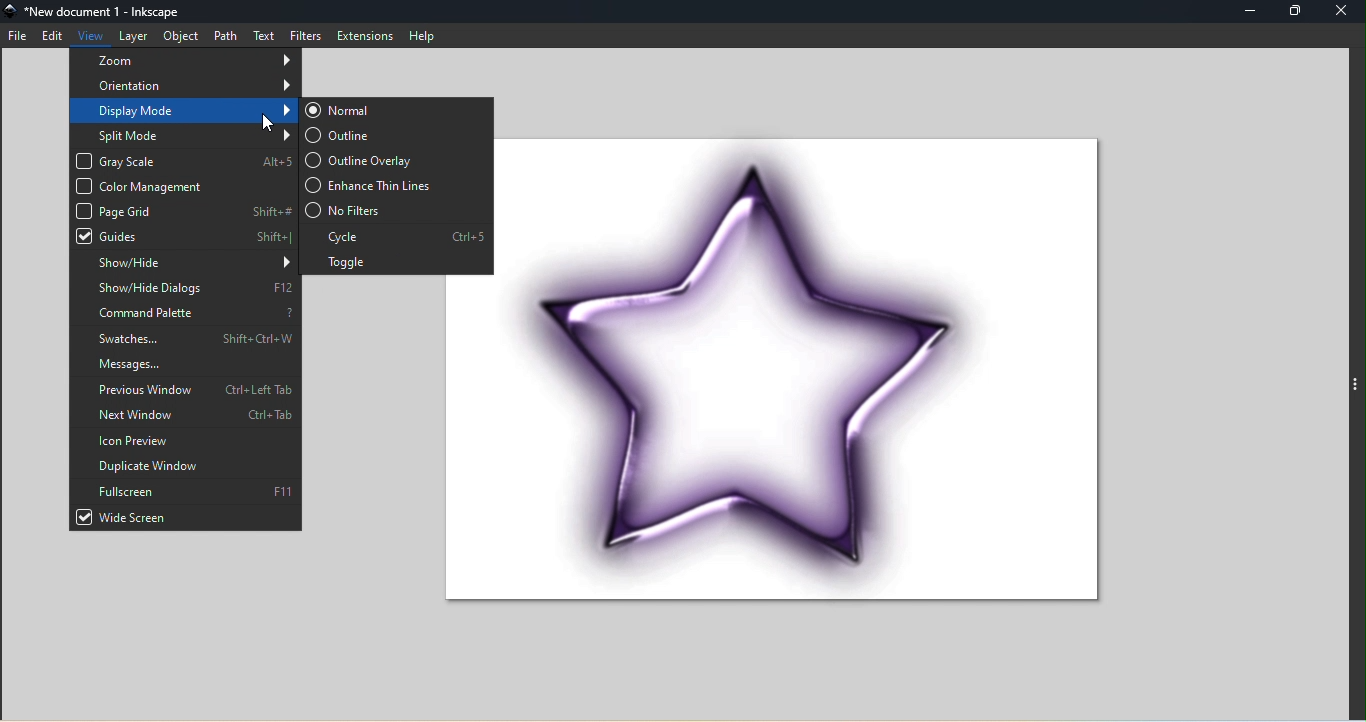 The height and width of the screenshot is (722, 1366). What do you see at coordinates (397, 262) in the screenshot?
I see `Toggle` at bounding box center [397, 262].